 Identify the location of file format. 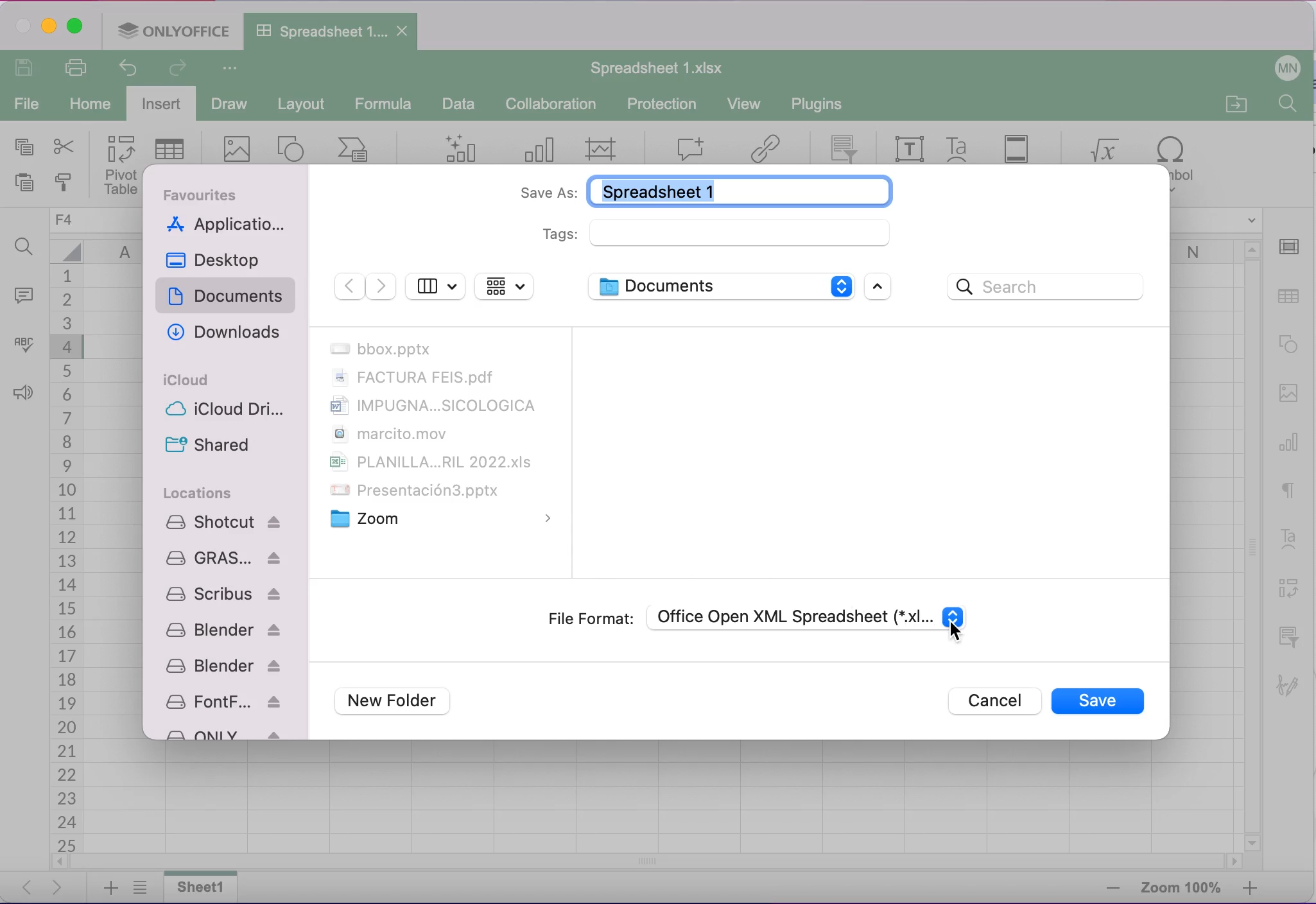
(589, 618).